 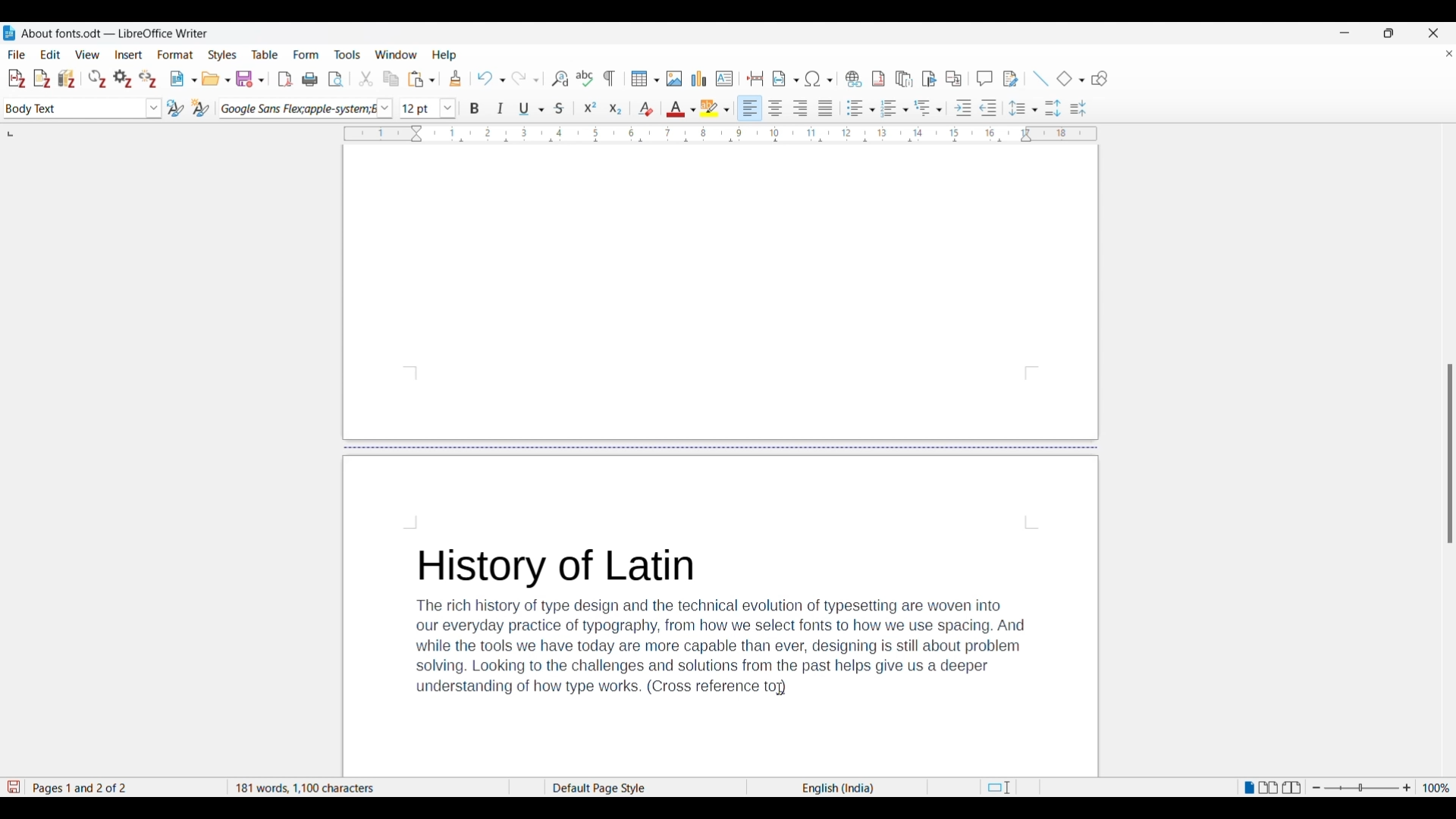 What do you see at coordinates (337, 80) in the screenshot?
I see `Toggle print preview` at bounding box center [337, 80].